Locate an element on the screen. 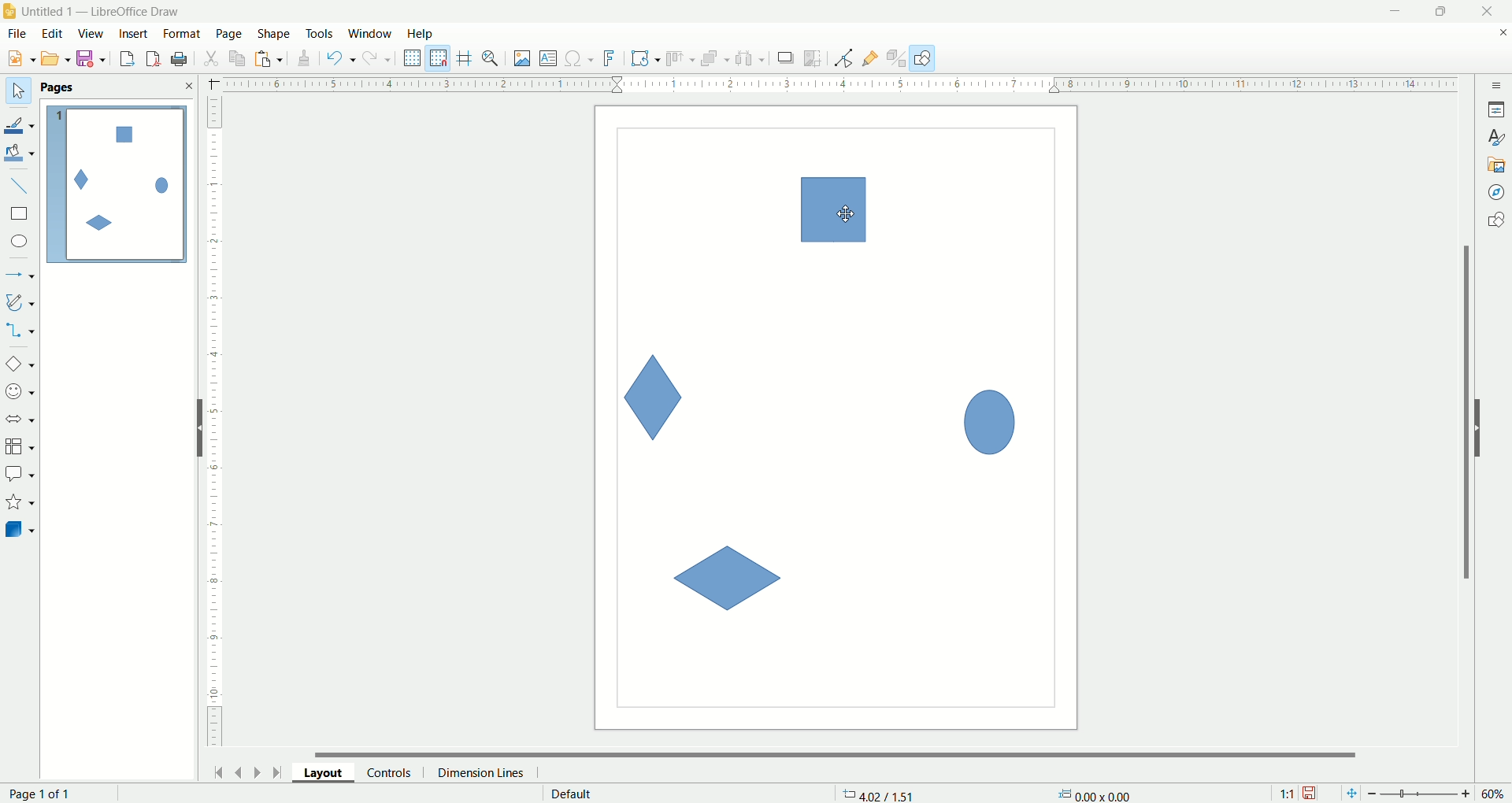 The height and width of the screenshot is (803, 1512). helplines is located at coordinates (467, 58).